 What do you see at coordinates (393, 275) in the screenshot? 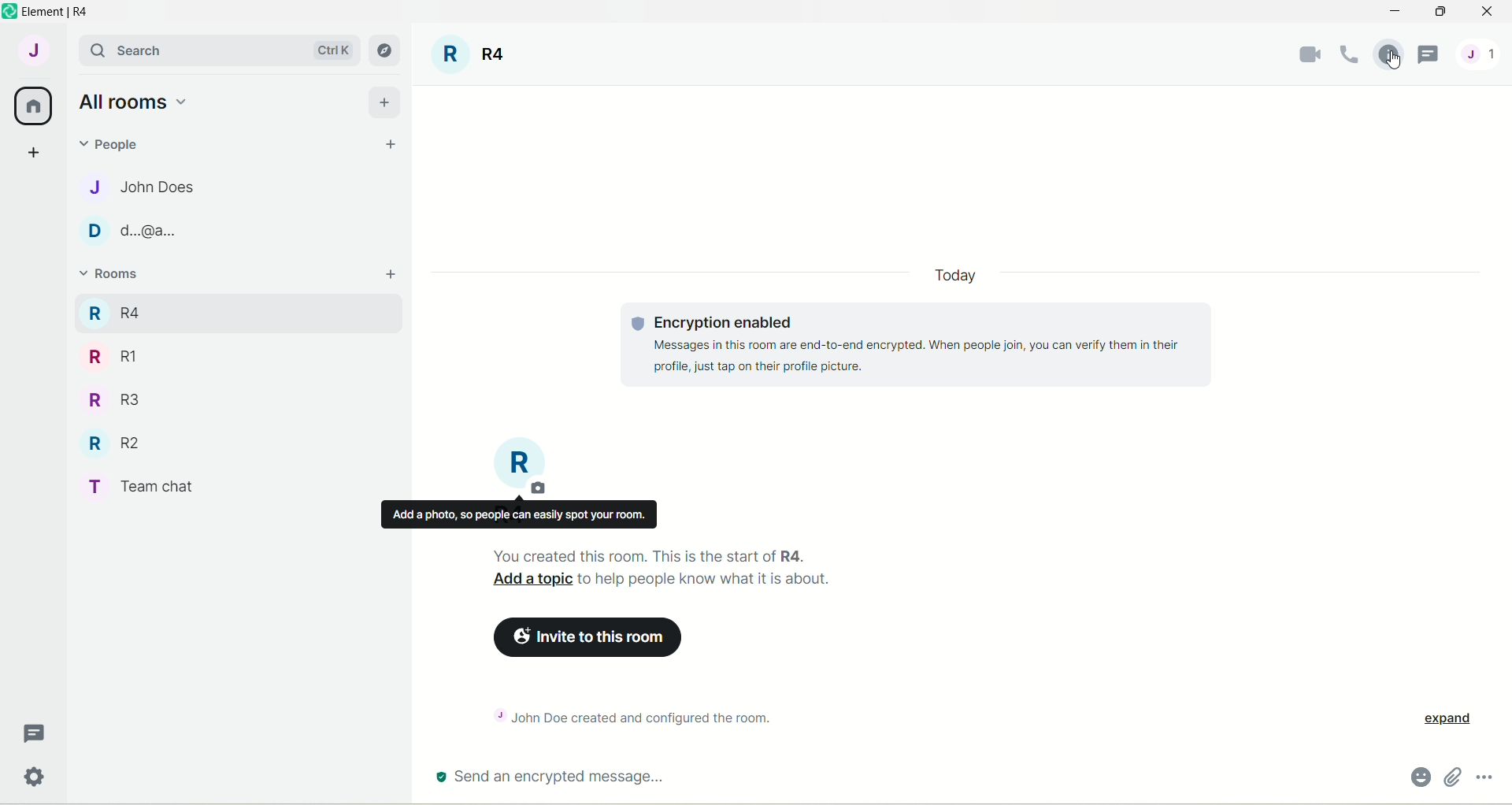
I see `add` at bounding box center [393, 275].